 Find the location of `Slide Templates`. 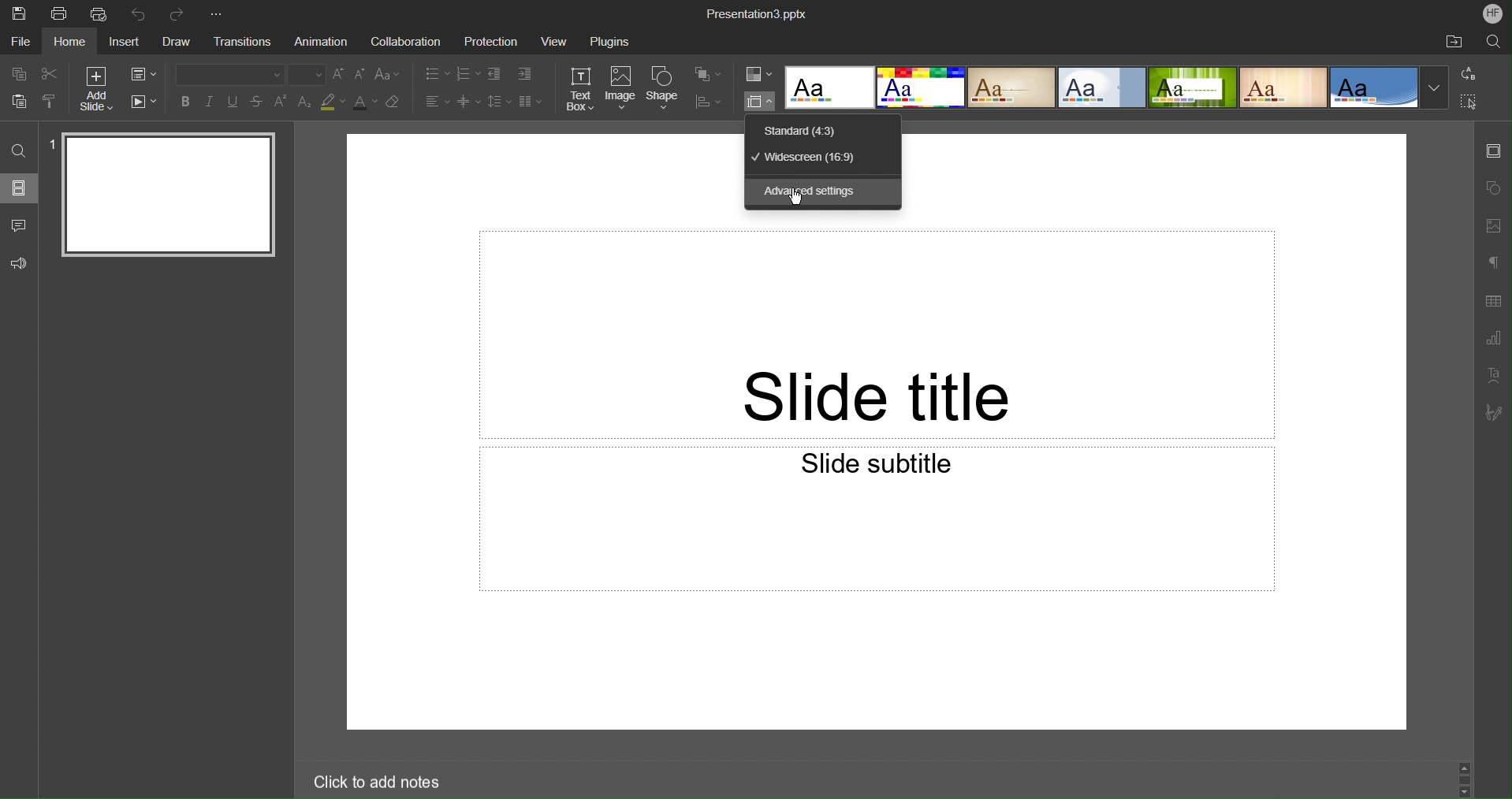

Slide Templates is located at coordinates (1115, 88).